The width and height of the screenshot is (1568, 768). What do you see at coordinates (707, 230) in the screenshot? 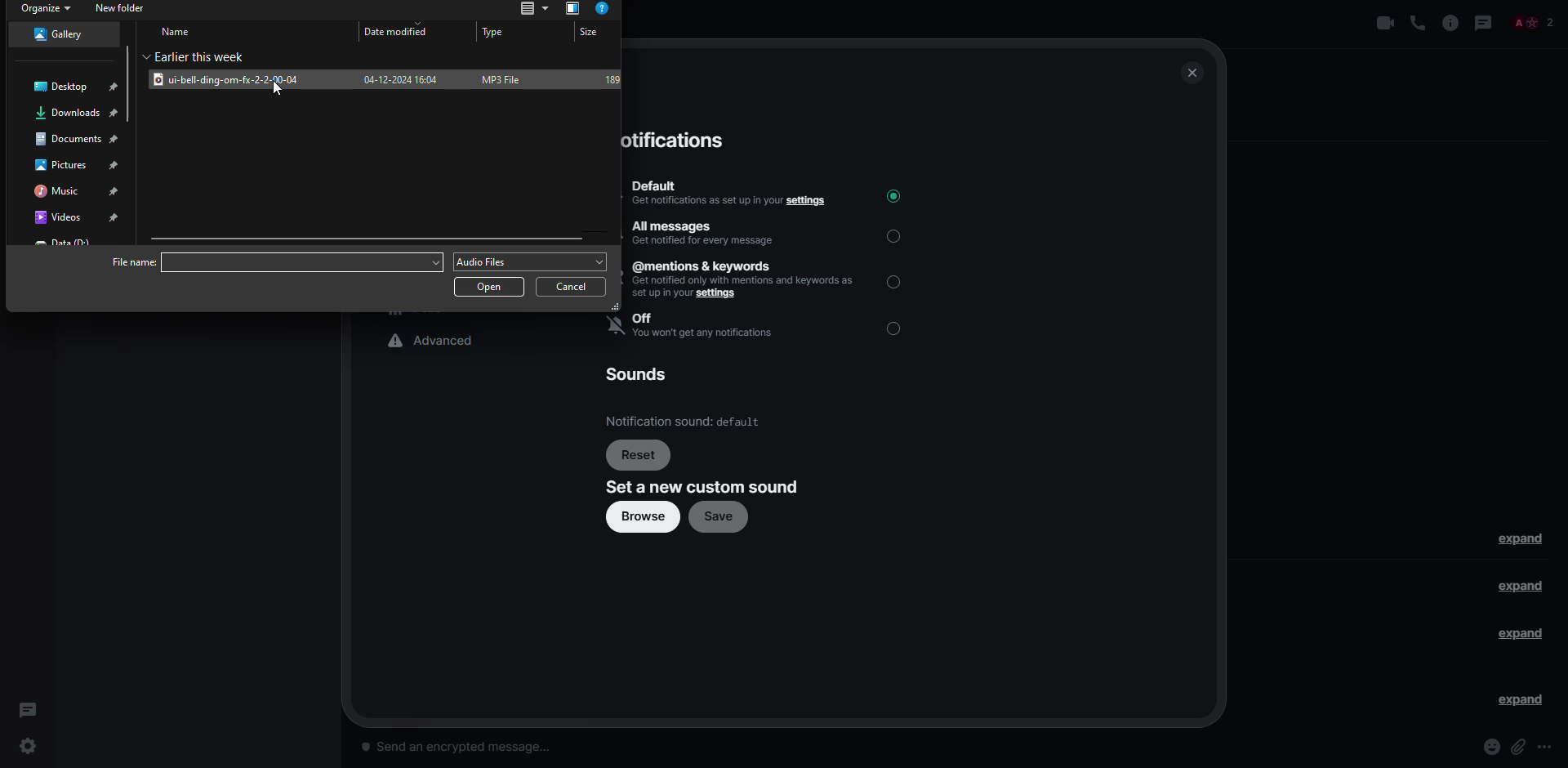
I see `All messages
Bh Got acrid avy mikes` at bounding box center [707, 230].